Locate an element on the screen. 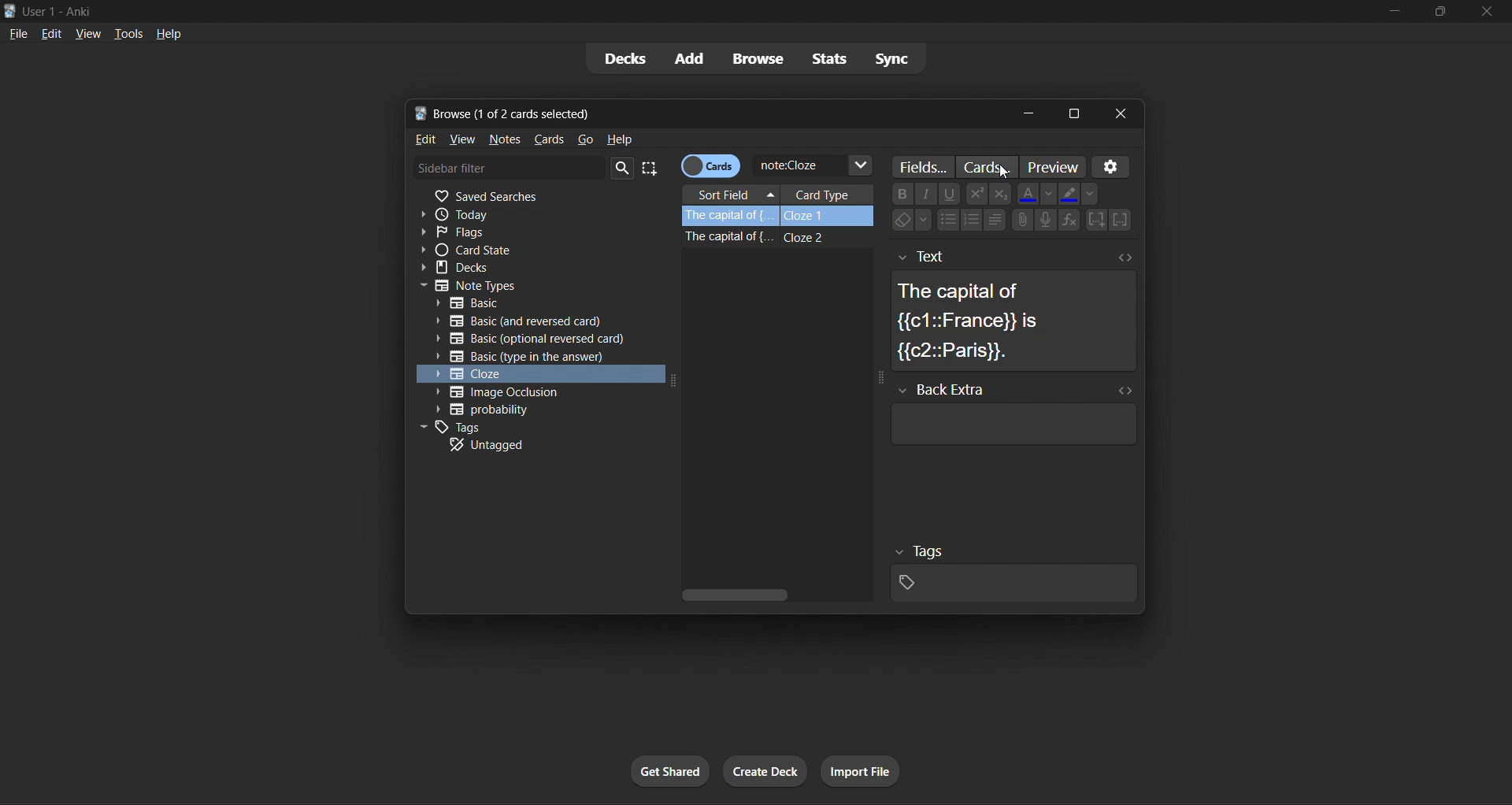 The width and height of the screenshot is (1512, 805). help is located at coordinates (173, 33).